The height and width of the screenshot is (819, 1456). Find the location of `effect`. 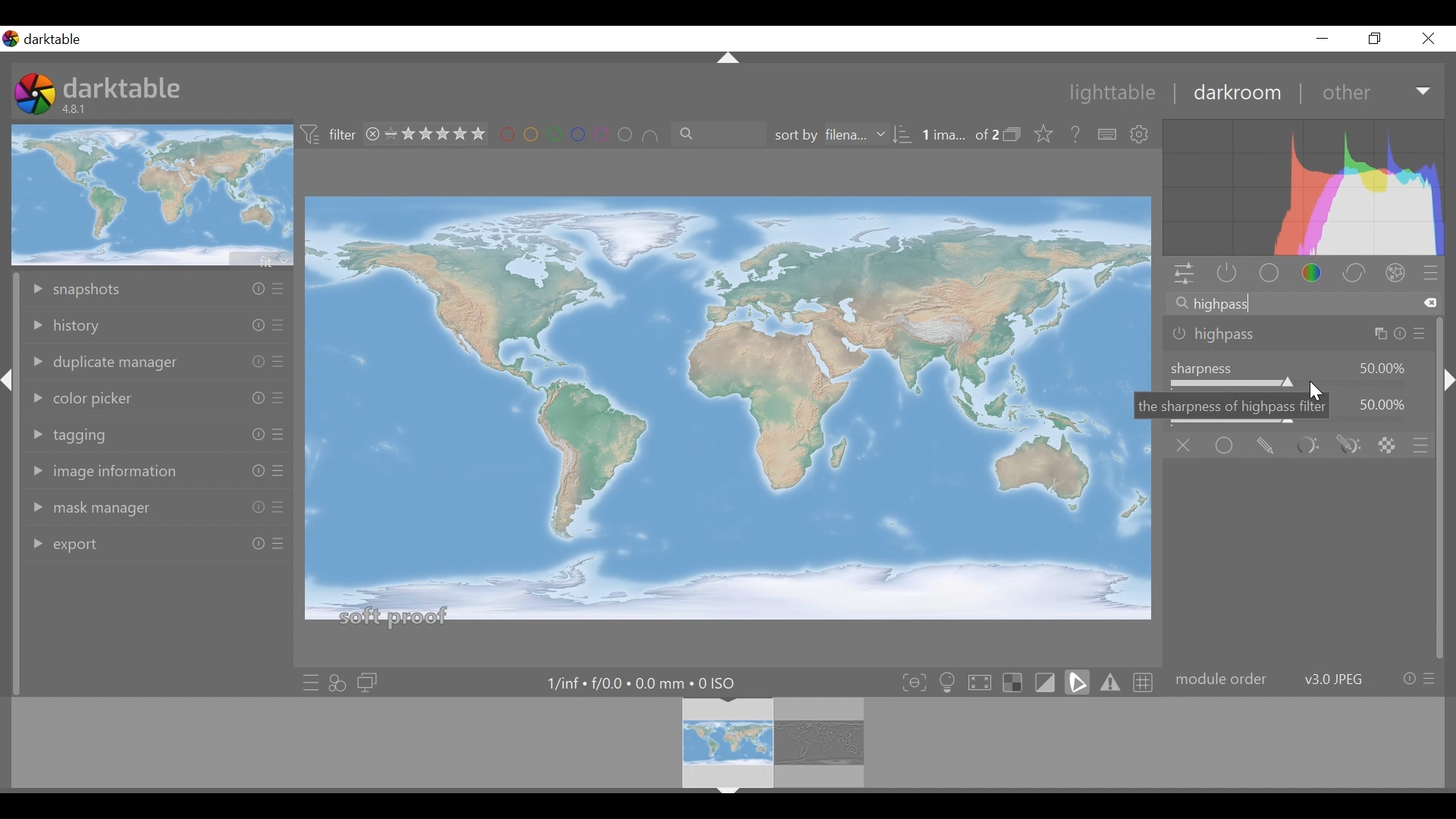

effect is located at coordinates (1396, 274).